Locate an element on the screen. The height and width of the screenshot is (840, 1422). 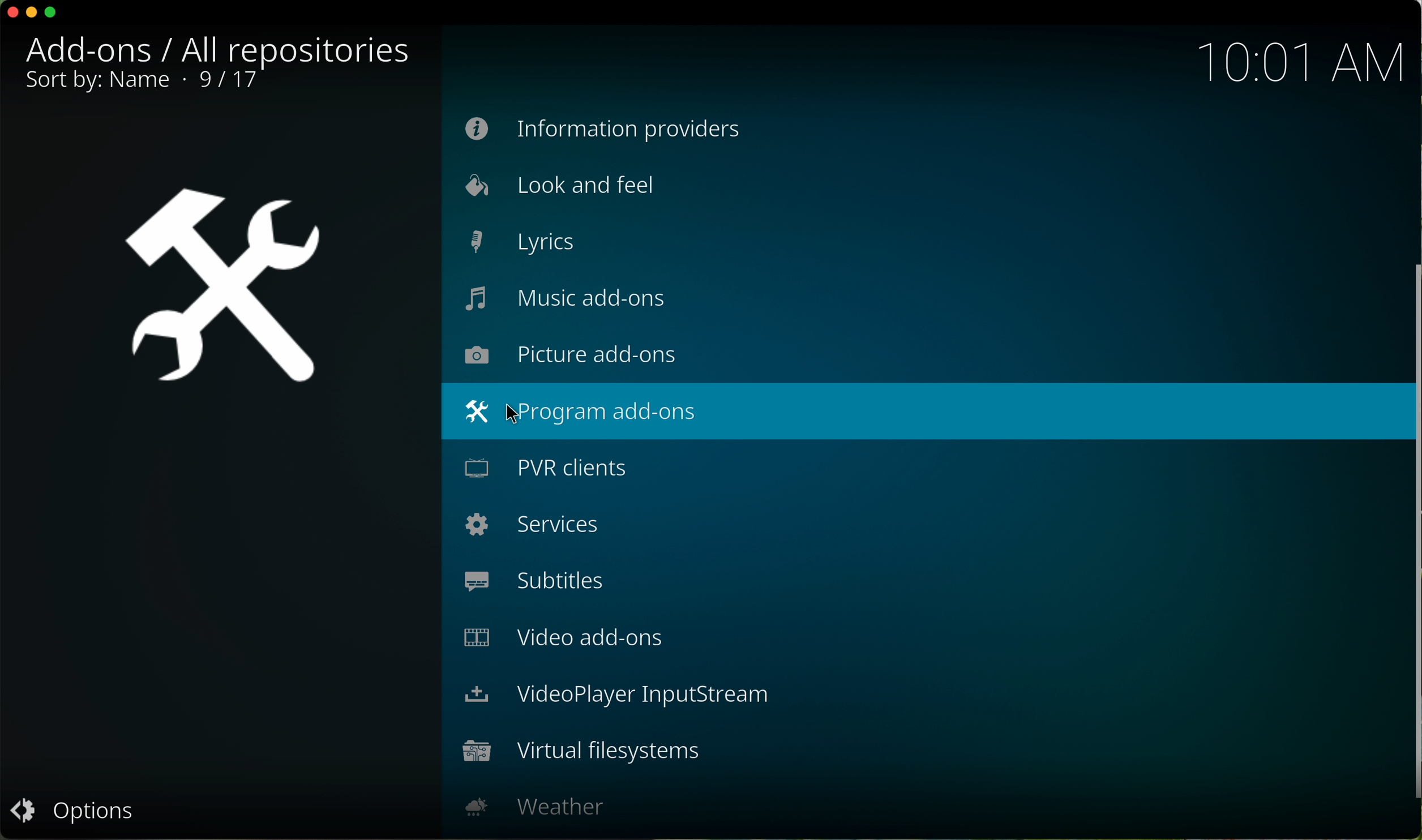
music add-ons is located at coordinates (572, 306).